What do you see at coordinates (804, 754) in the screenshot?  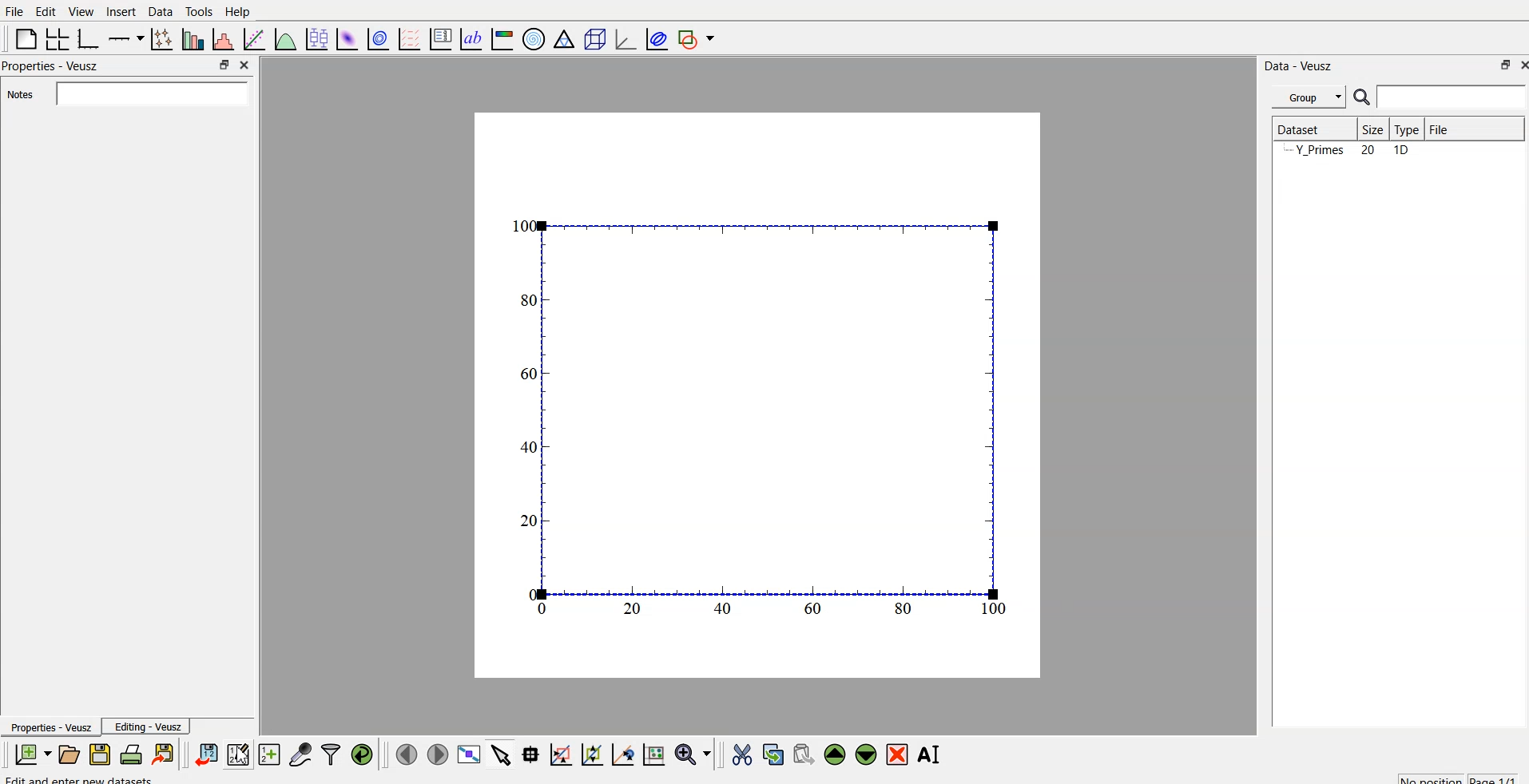 I see `paste the widget from the clipboard` at bounding box center [804, 754].